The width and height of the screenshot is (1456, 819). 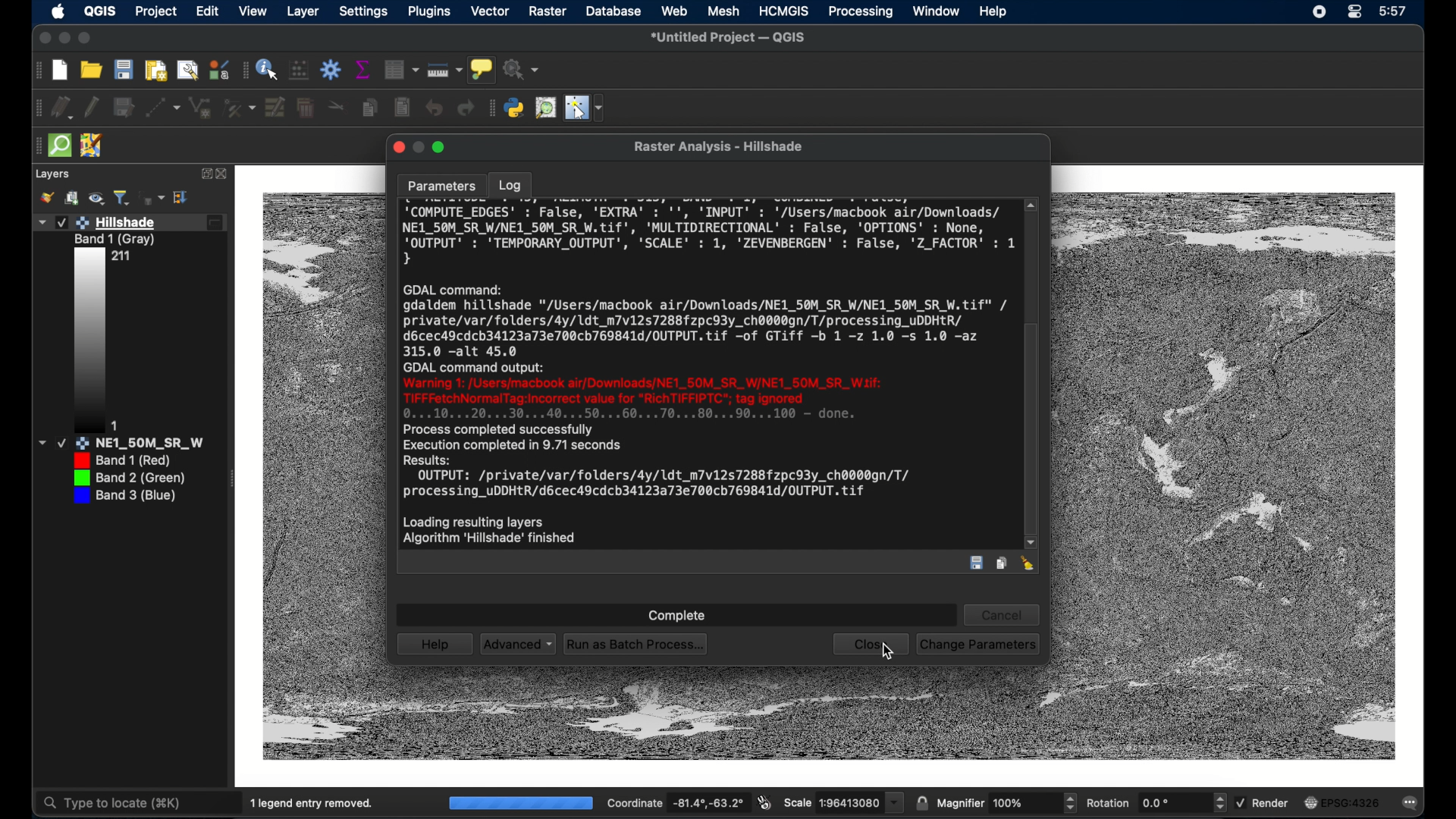 What do you see at coordinates (675, 802) in the screenshot?
I see `coordinate` at bounding box center [675, 802].